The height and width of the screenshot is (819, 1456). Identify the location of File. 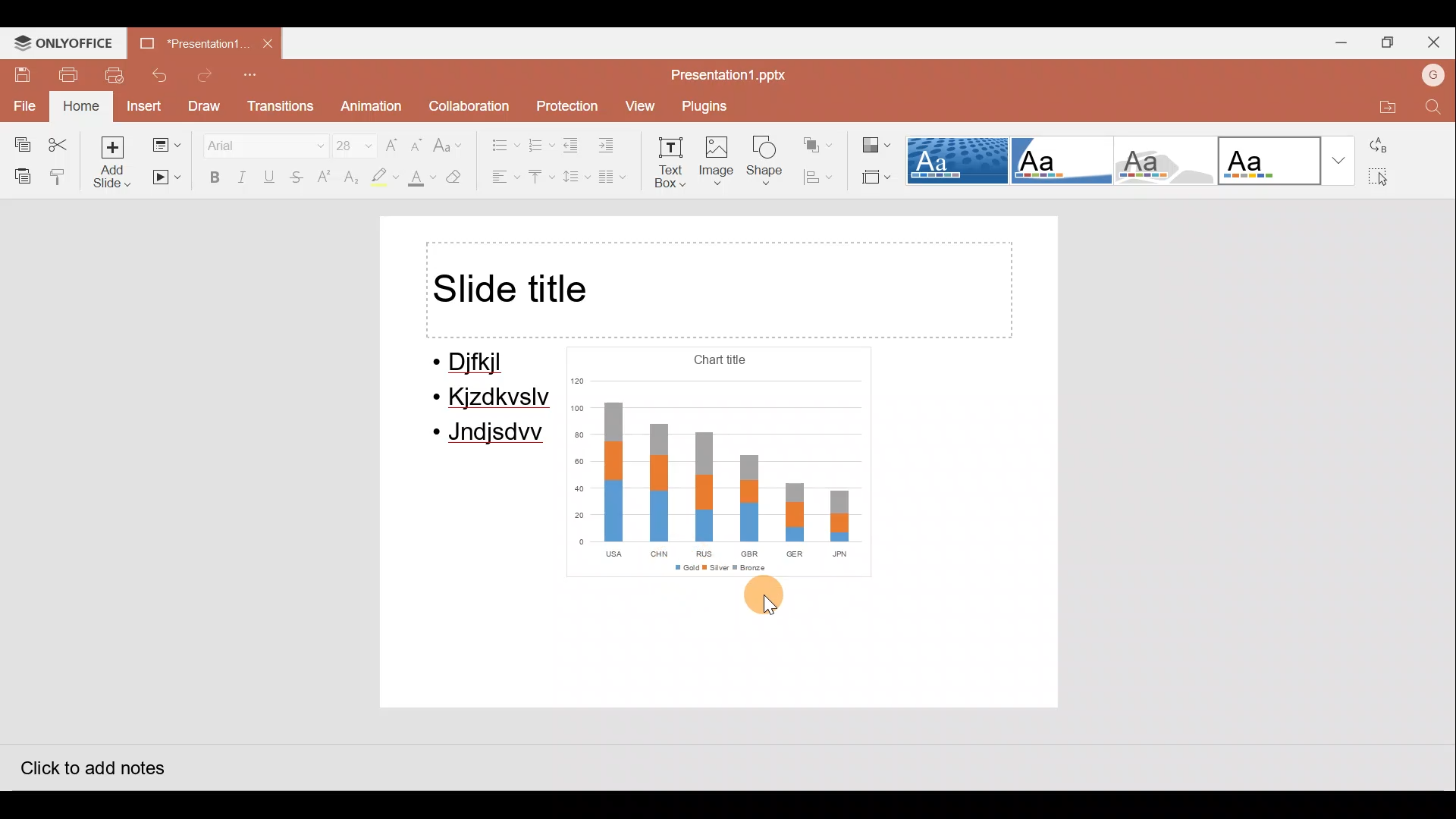
(23, 104).